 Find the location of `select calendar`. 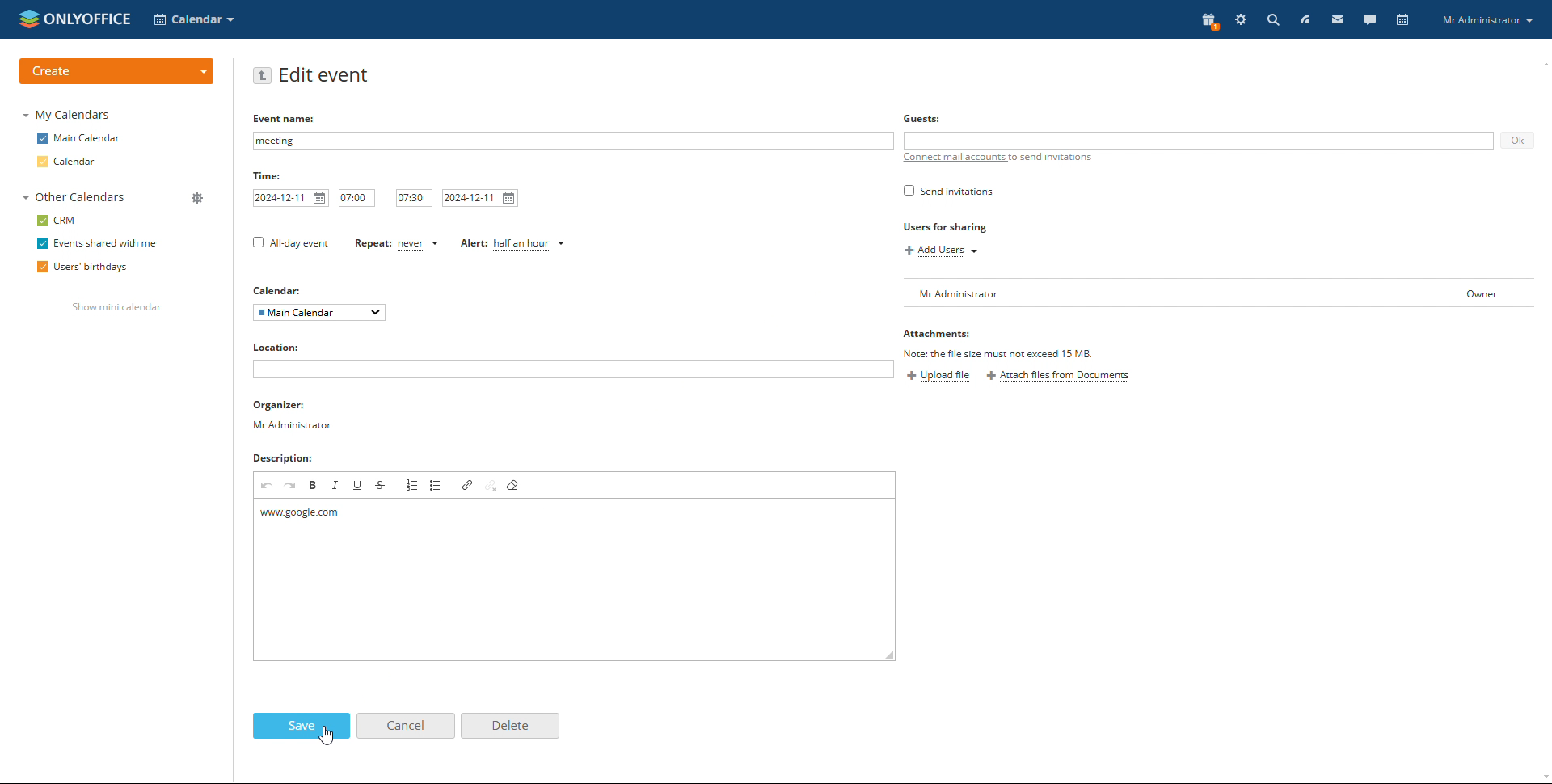

select calendar is located at coordinates (318, 313).